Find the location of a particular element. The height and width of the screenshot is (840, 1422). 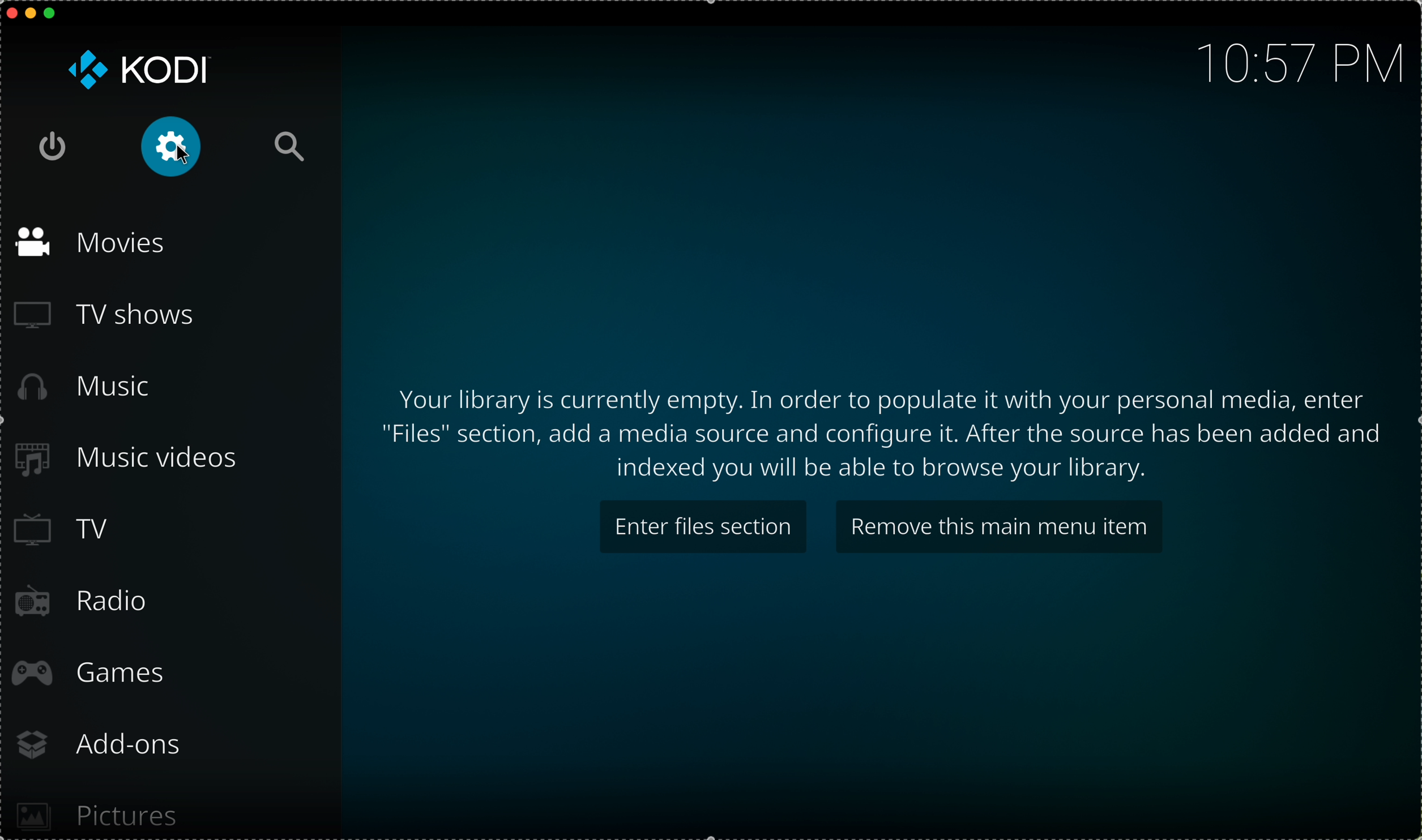

remove this main menu item is located at coordinates (997, 525).